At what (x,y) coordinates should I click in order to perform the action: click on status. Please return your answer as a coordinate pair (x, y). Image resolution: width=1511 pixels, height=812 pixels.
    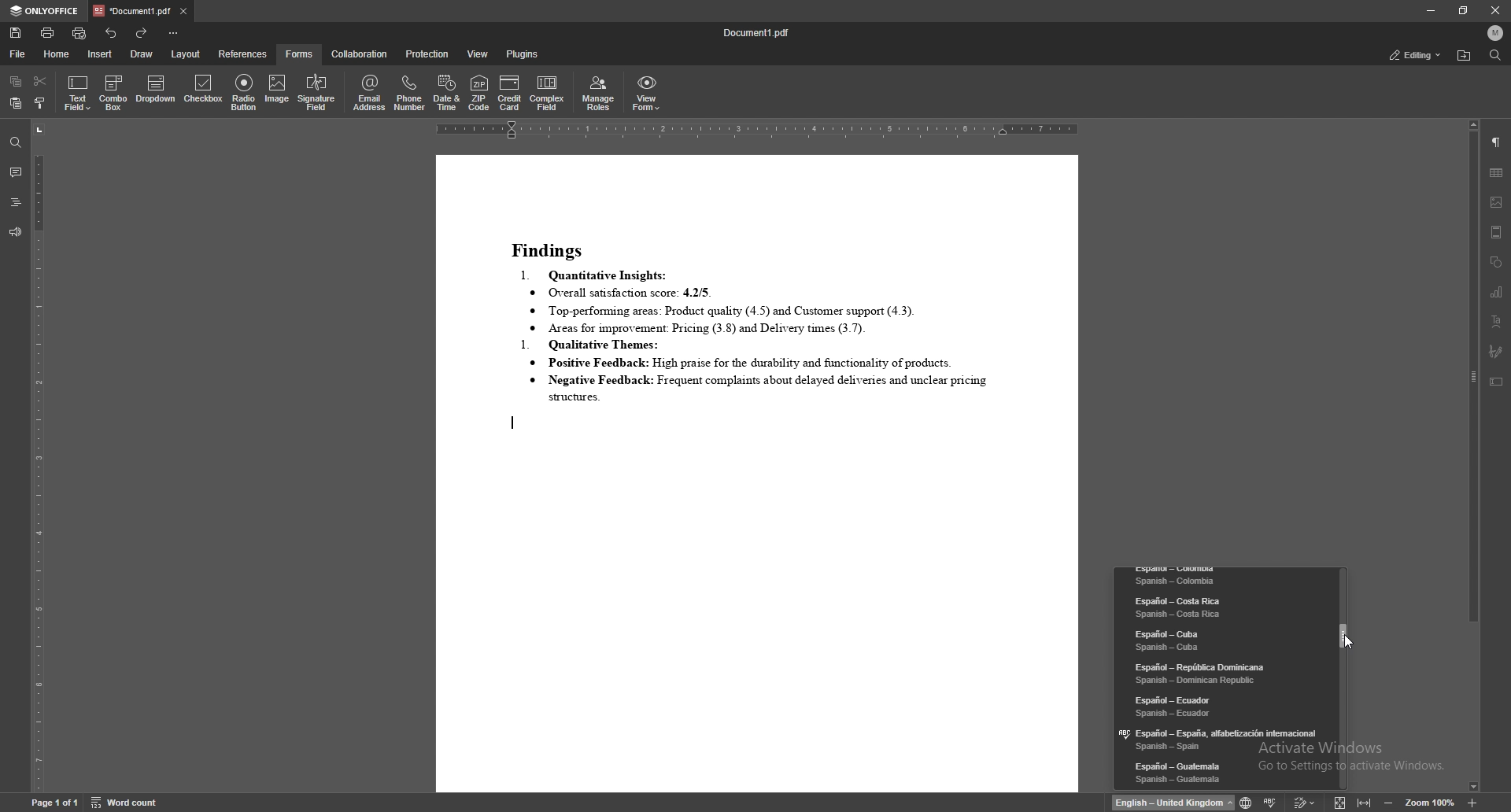
    Looking at the image, I should click on (1416, 54).